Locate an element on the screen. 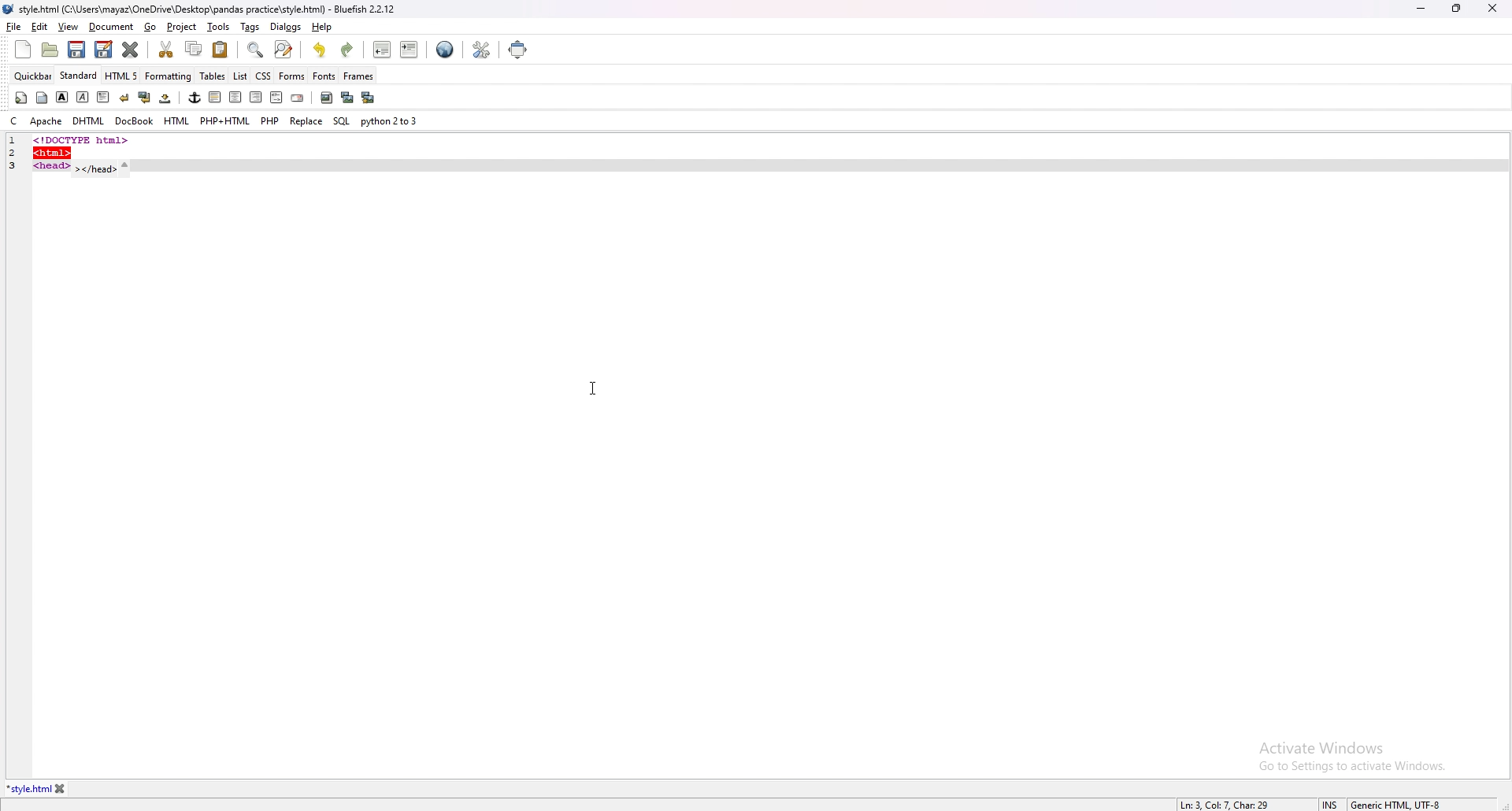 Image resolution: width=1512 pixels, height=811 pixels. indent is located at coordinates (409, 49).